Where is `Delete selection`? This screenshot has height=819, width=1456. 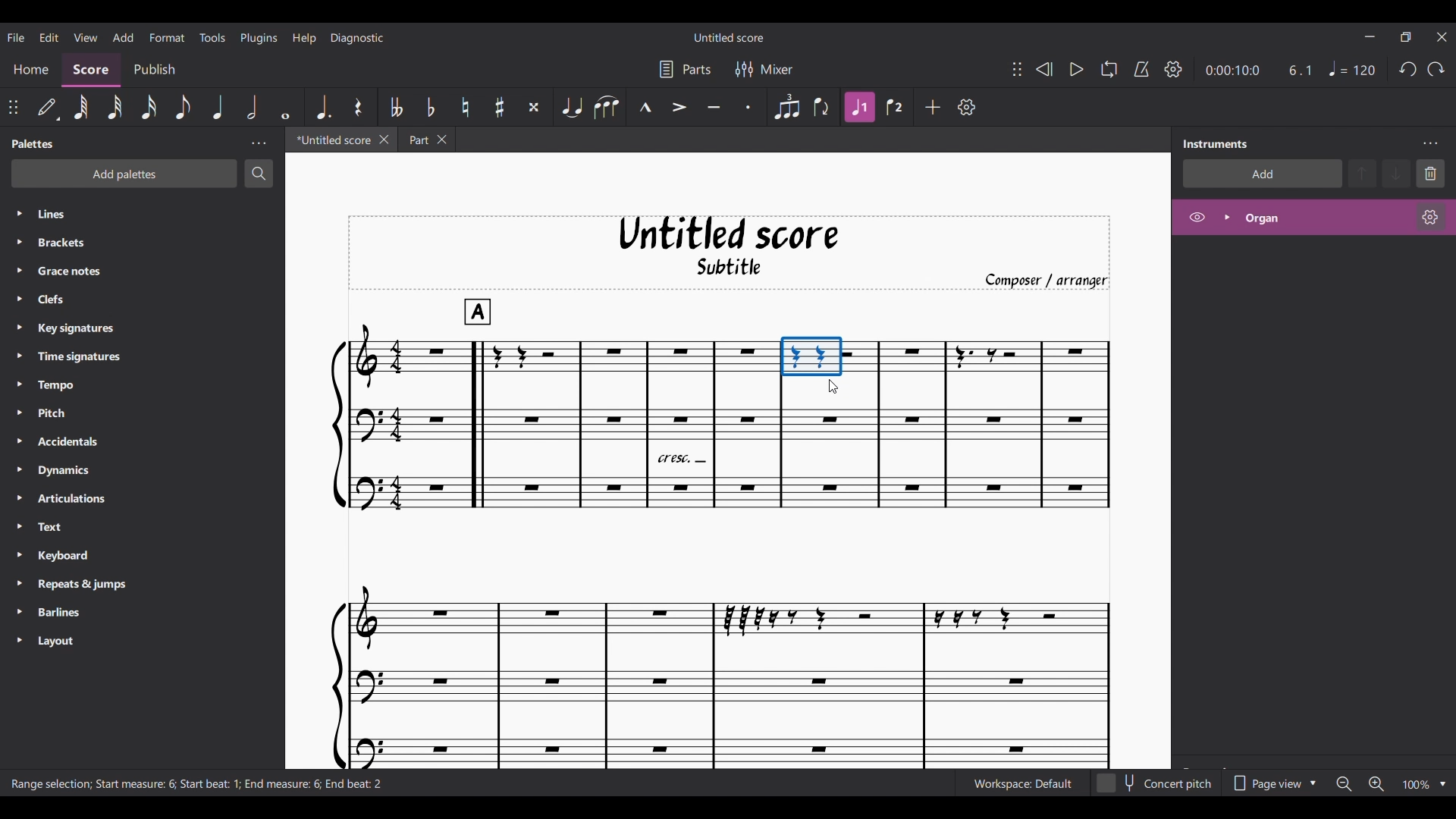
Delete selection is located at coordinates (1431, 174).